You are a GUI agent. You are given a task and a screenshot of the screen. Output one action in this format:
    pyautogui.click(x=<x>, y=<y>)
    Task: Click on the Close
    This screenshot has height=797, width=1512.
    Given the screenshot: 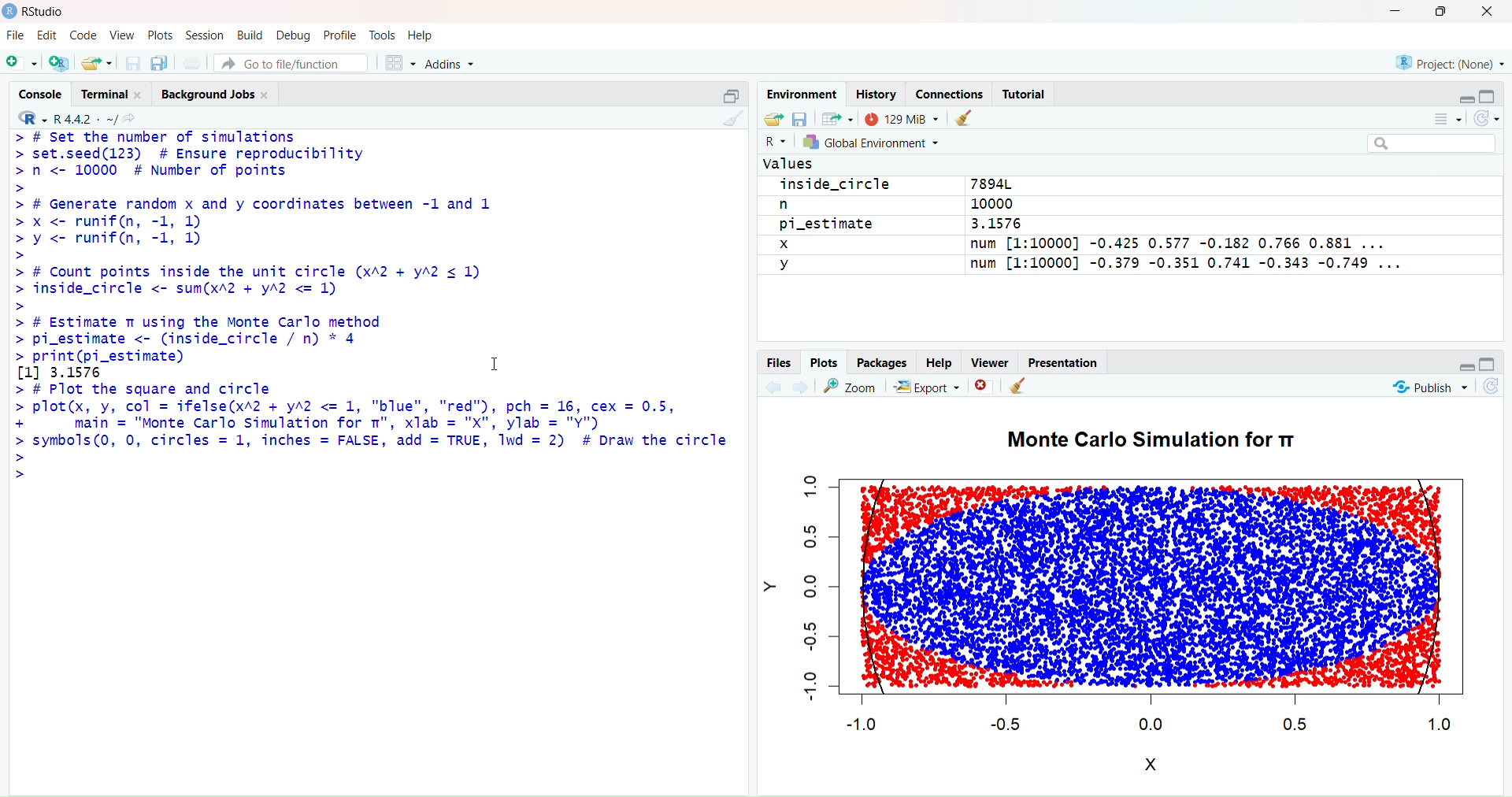 What is the action you would take?
    pyautogui.click(x=982, y=386)
    